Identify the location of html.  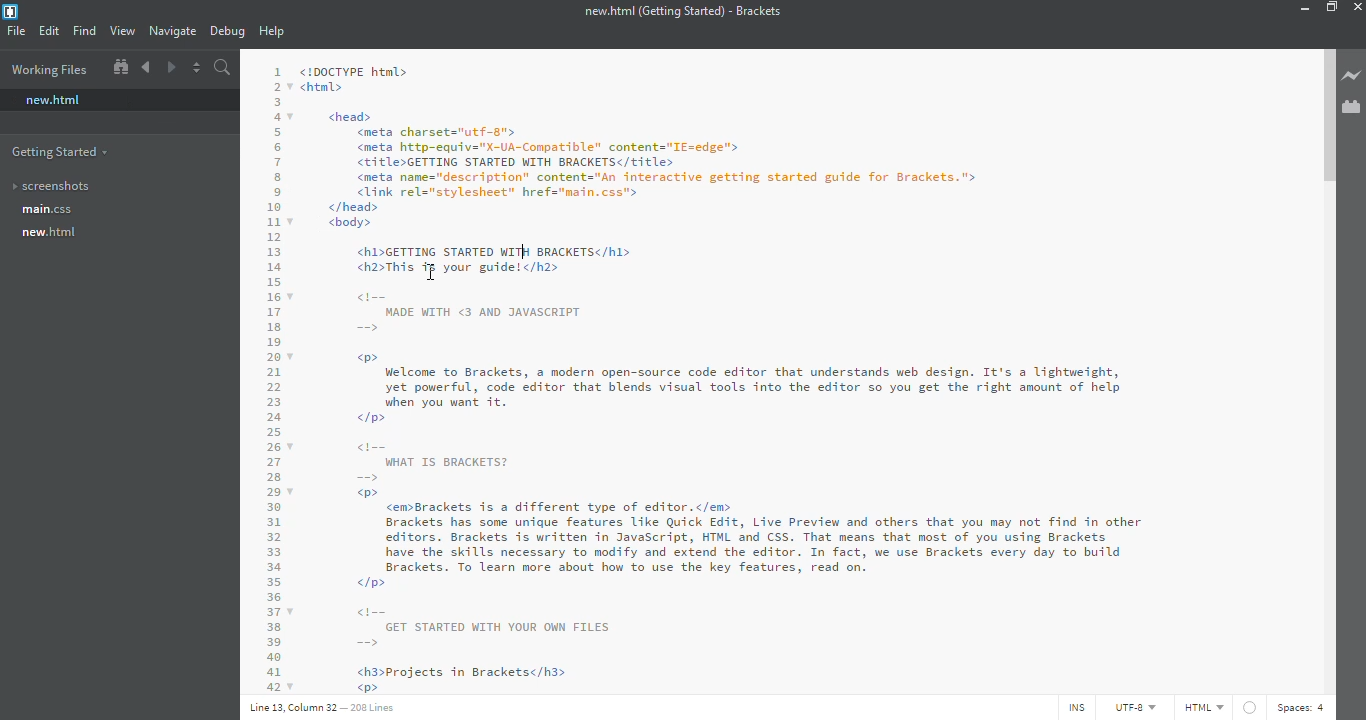
(1203, 707).